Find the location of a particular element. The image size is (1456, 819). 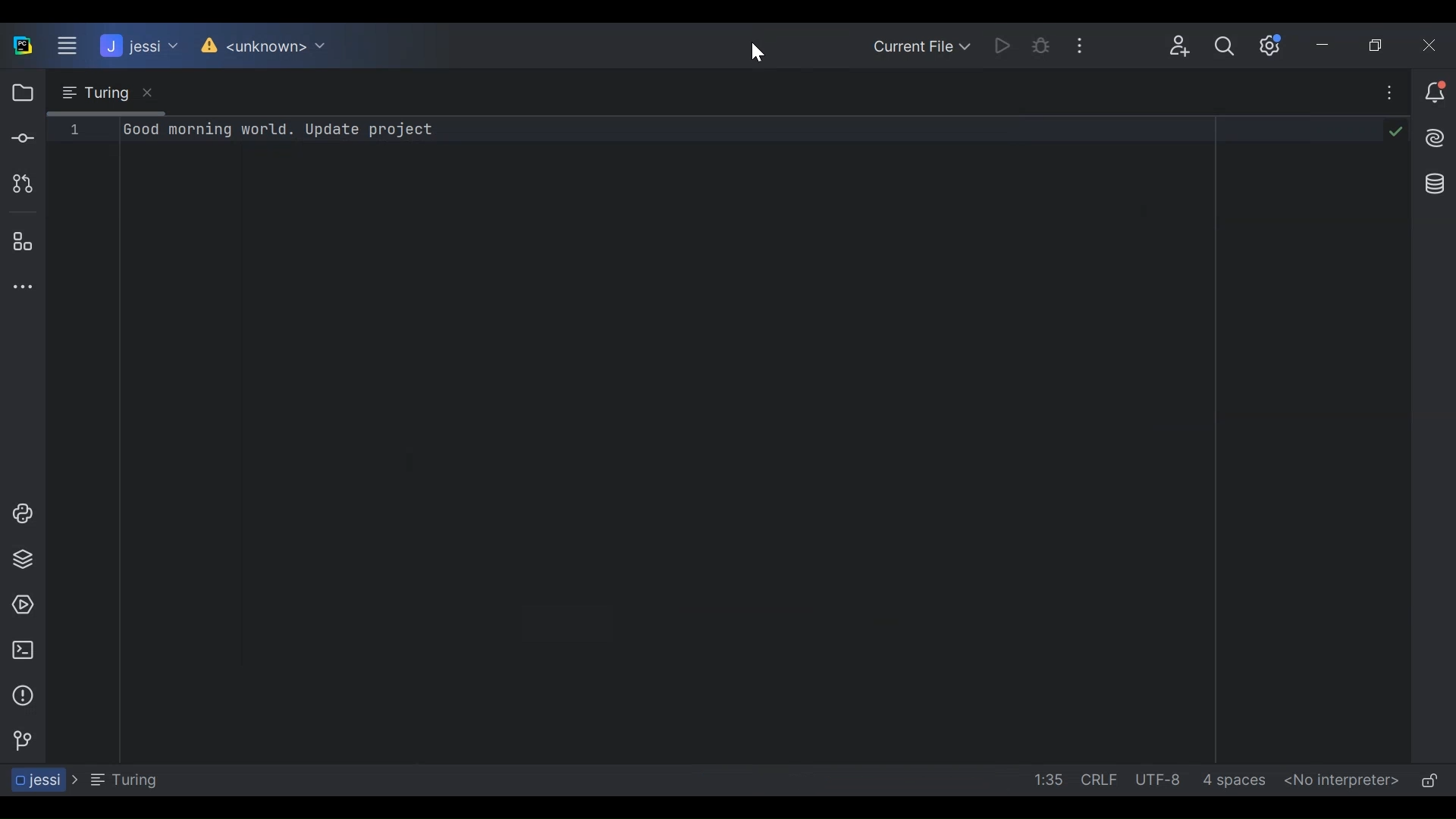

Current File is located at coordinates (923, 45).